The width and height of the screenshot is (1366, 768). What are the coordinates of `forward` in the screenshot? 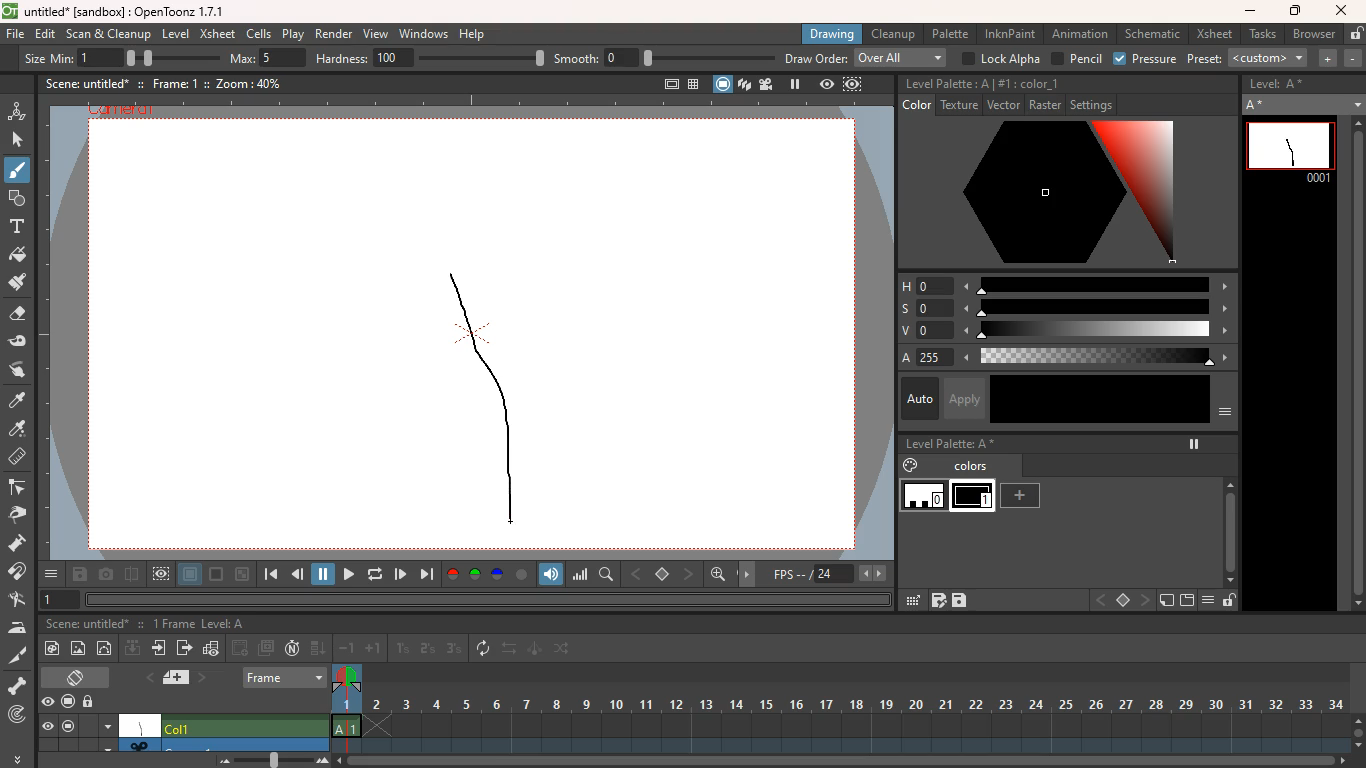 It's located at (346, 574).